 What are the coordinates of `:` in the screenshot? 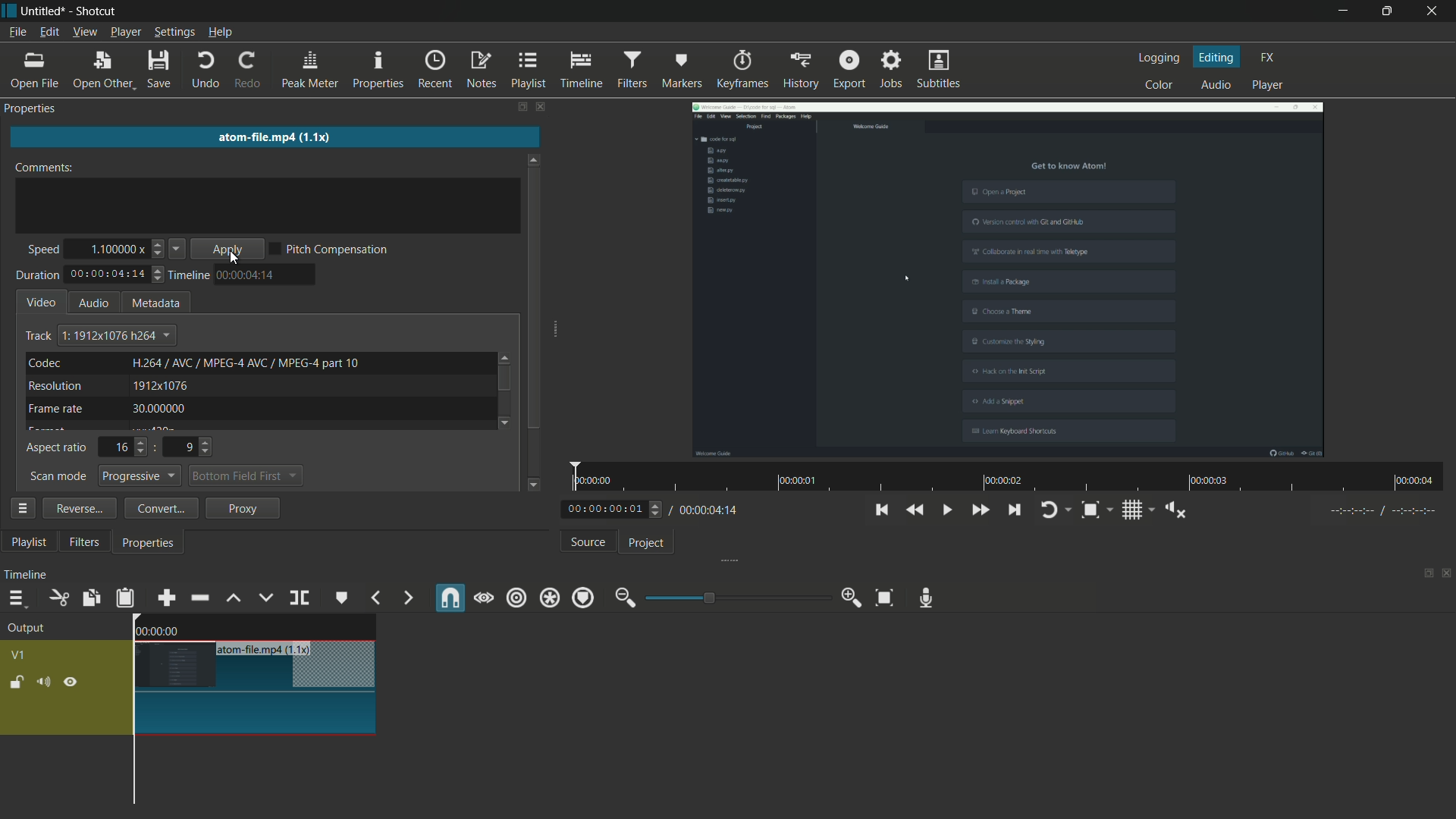 It's located at (155, 447).